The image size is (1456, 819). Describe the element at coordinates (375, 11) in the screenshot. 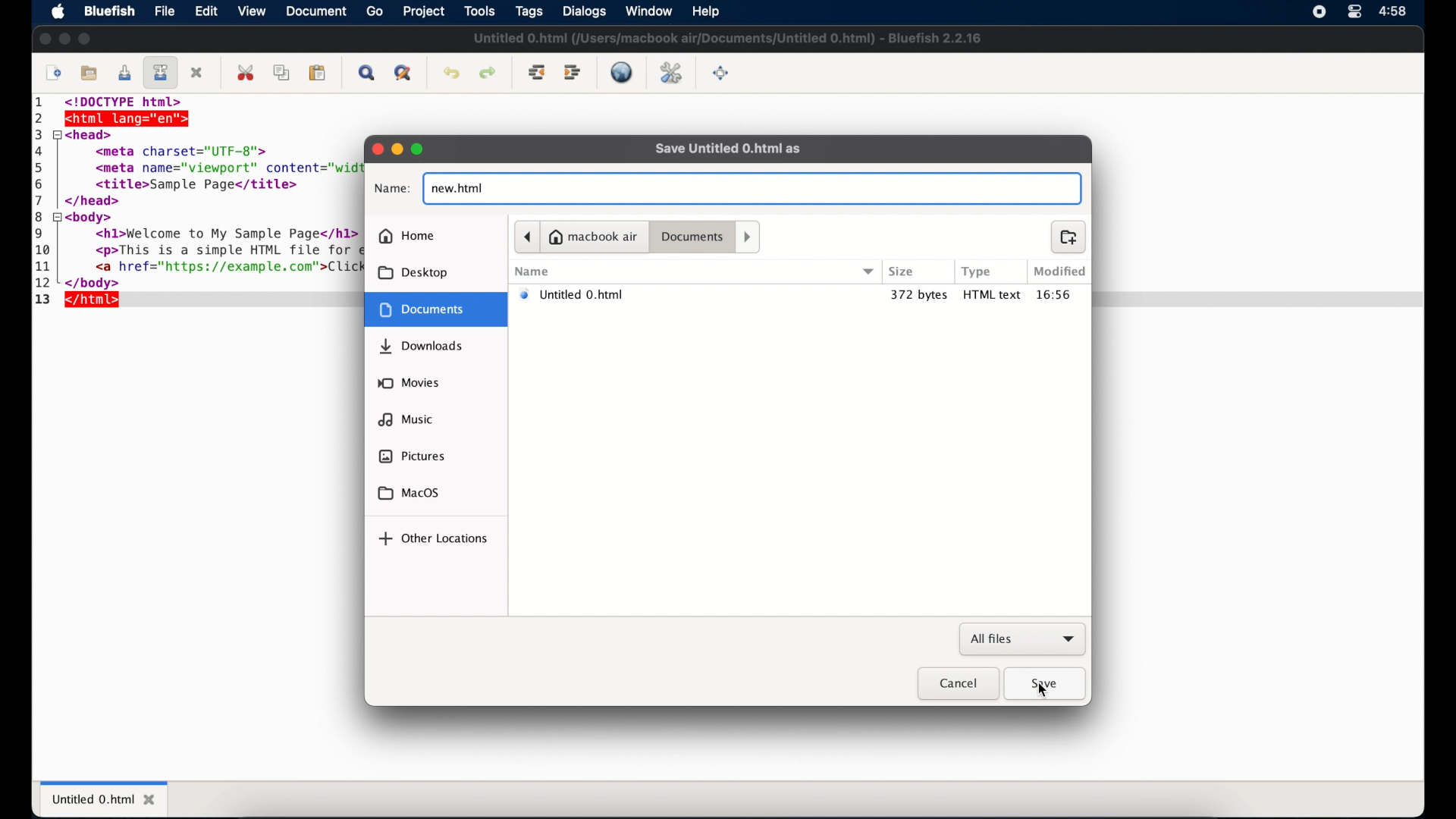

I see `go` at that location.